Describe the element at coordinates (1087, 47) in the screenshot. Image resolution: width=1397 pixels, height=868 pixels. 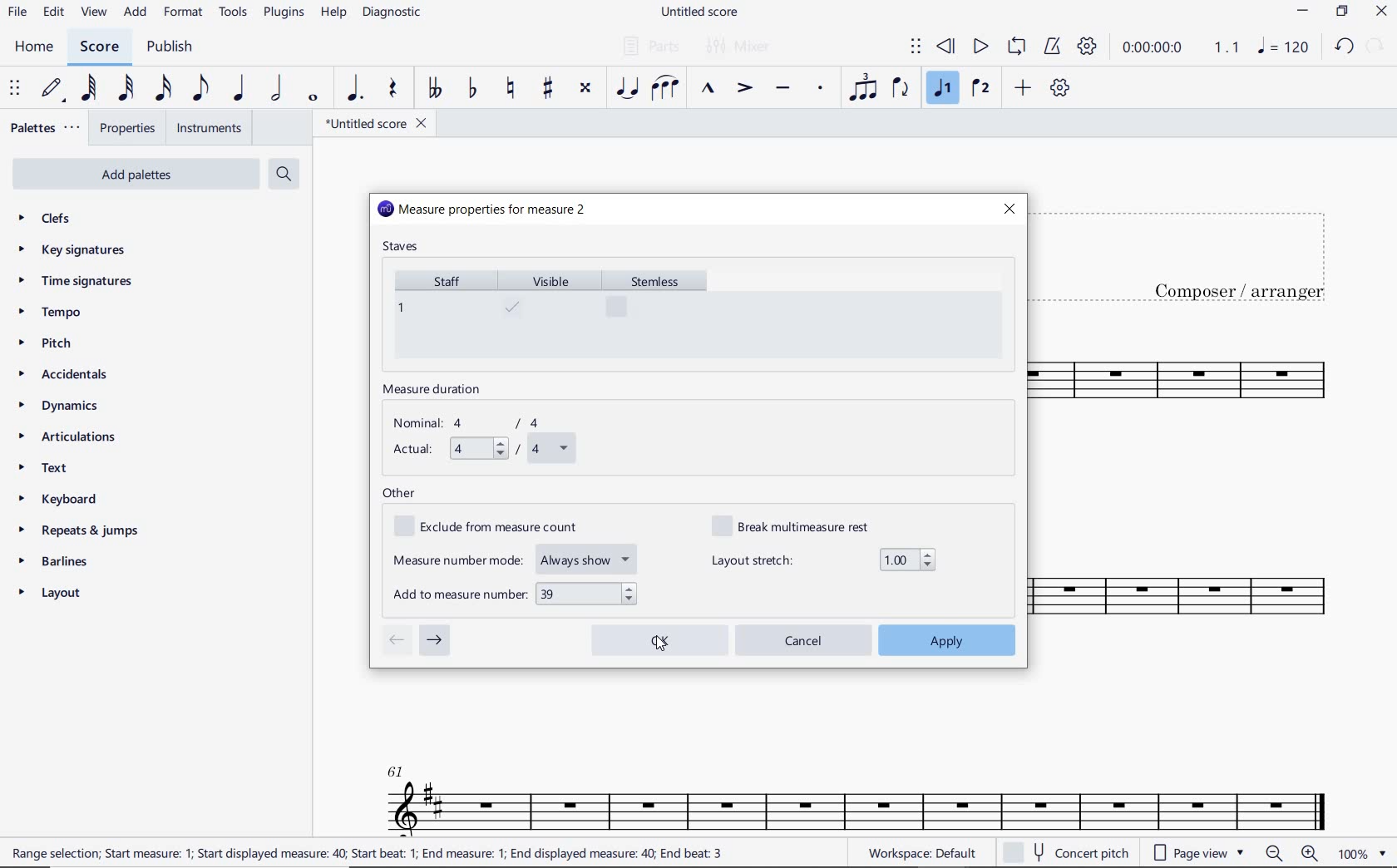
I see `PLAYBACK SETTINGS` at that location.